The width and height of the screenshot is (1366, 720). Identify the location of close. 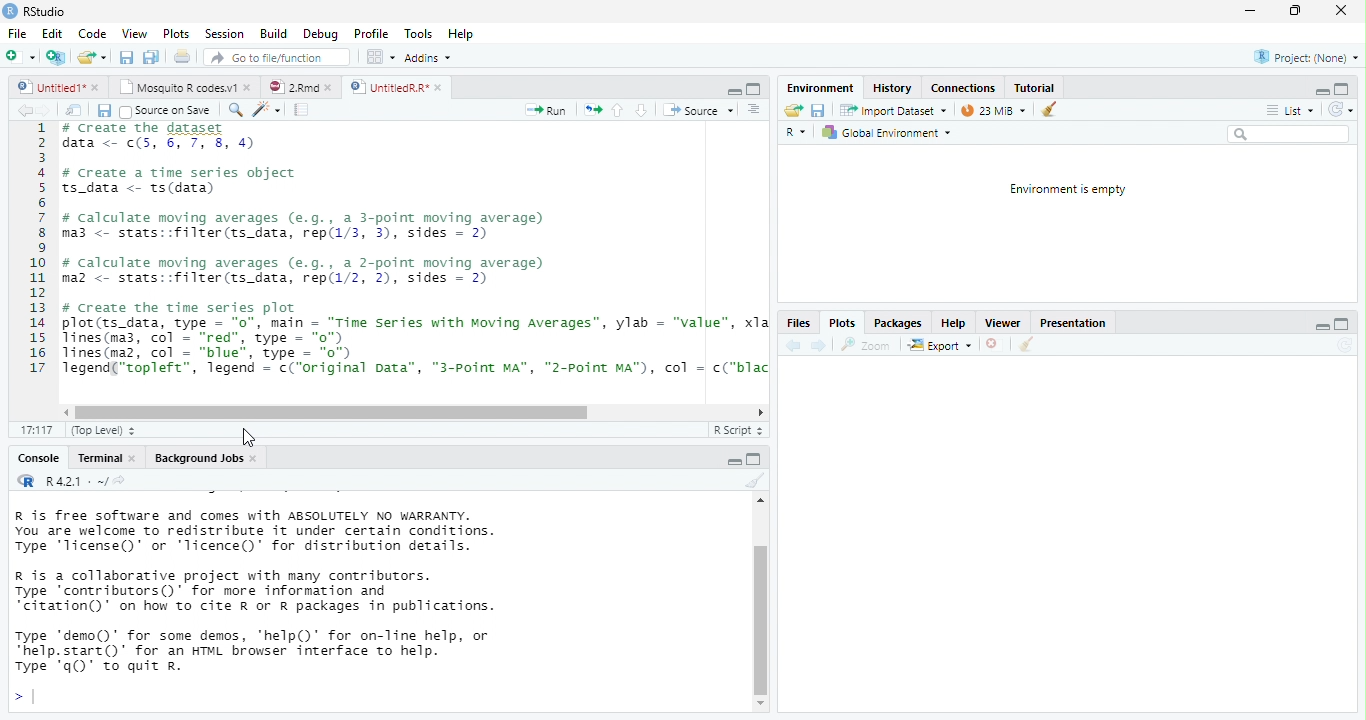
(136, 459).